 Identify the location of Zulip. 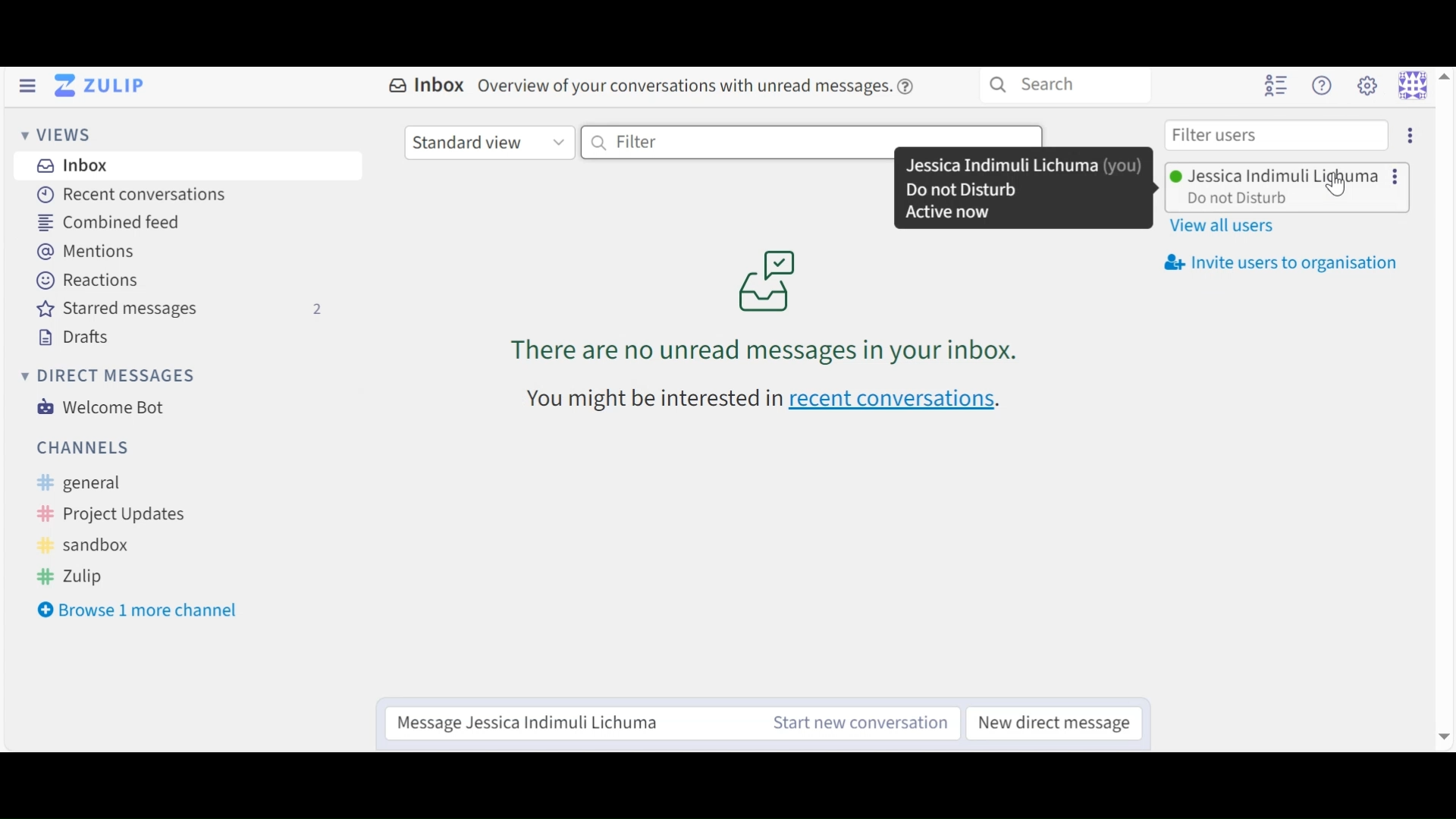
(77, 579).